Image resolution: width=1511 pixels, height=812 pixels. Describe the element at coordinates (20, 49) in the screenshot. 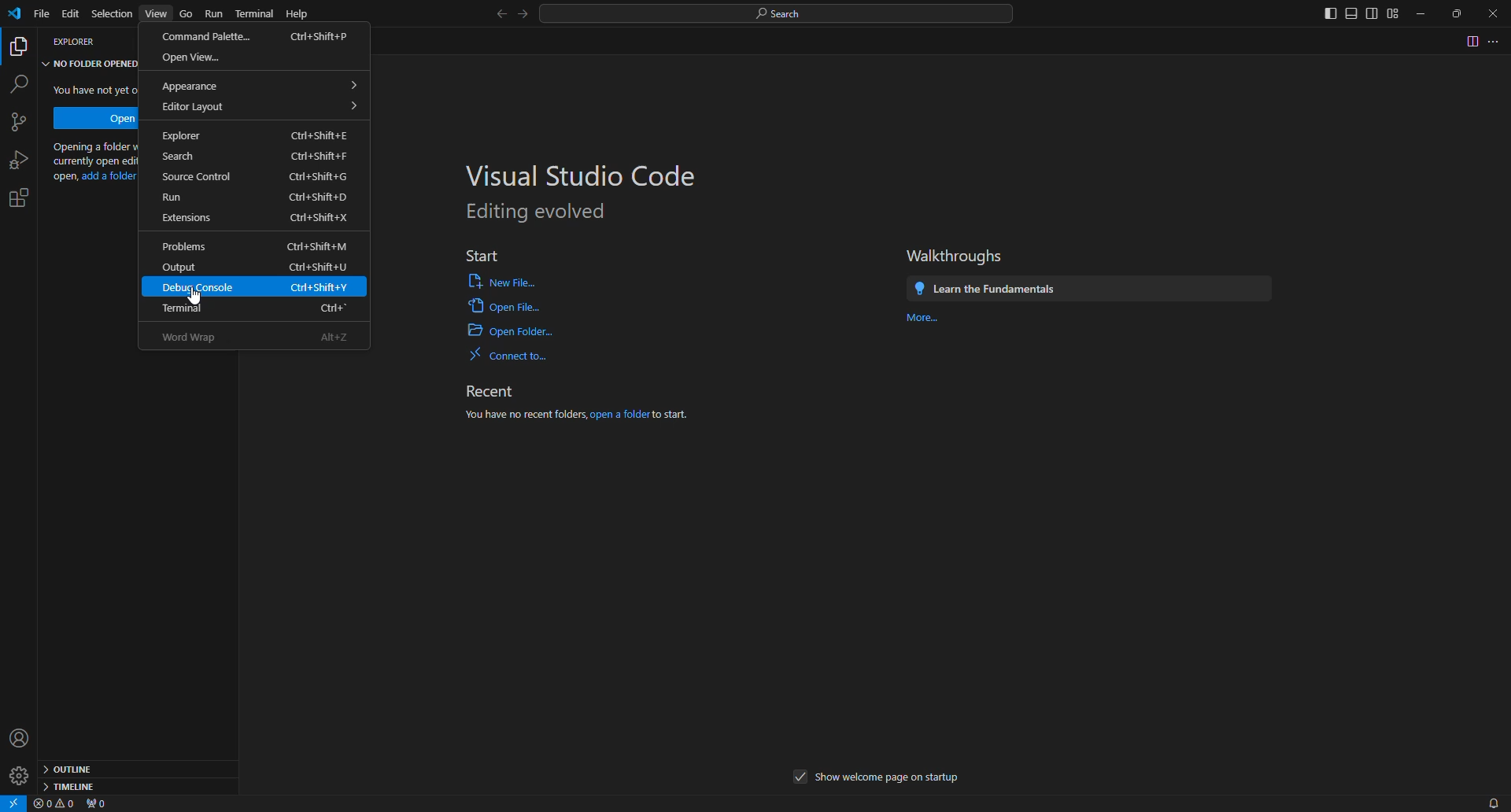

I see `copy` at that location.